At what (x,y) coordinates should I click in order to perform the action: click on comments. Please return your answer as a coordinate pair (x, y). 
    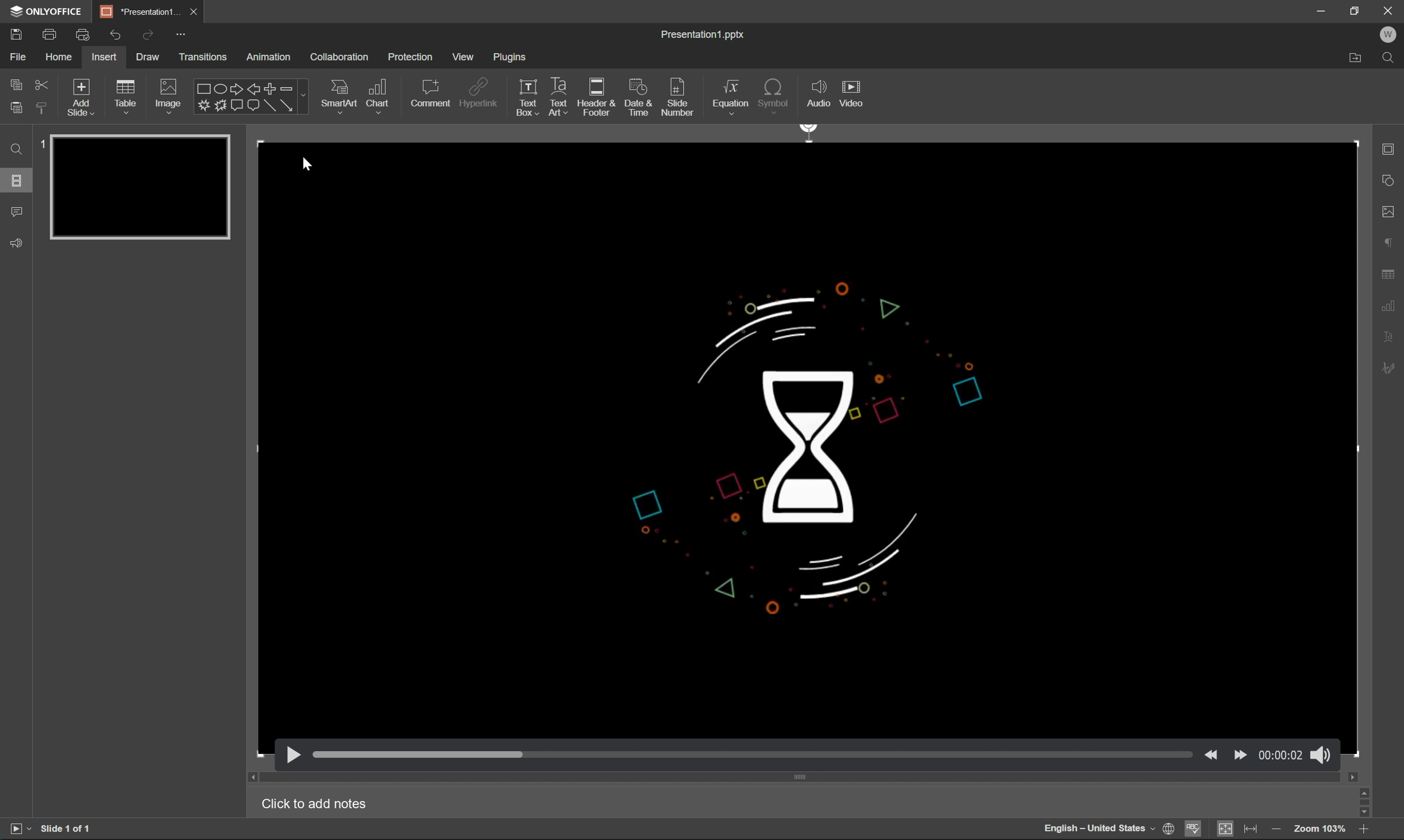
    Looking at the image, I should click on (19, 212).